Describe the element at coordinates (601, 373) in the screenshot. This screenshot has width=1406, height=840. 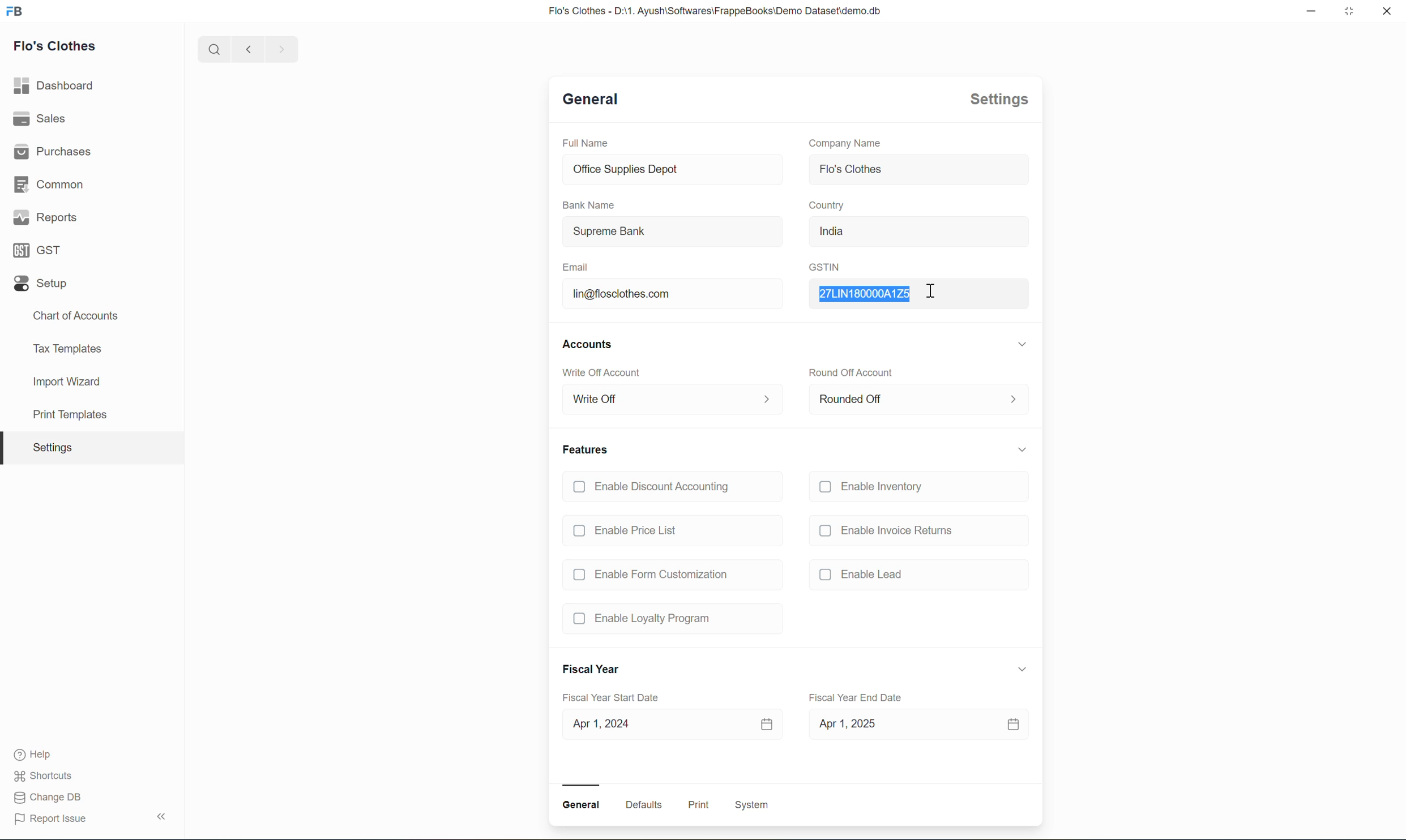
I see `Write Off Account` at that location.